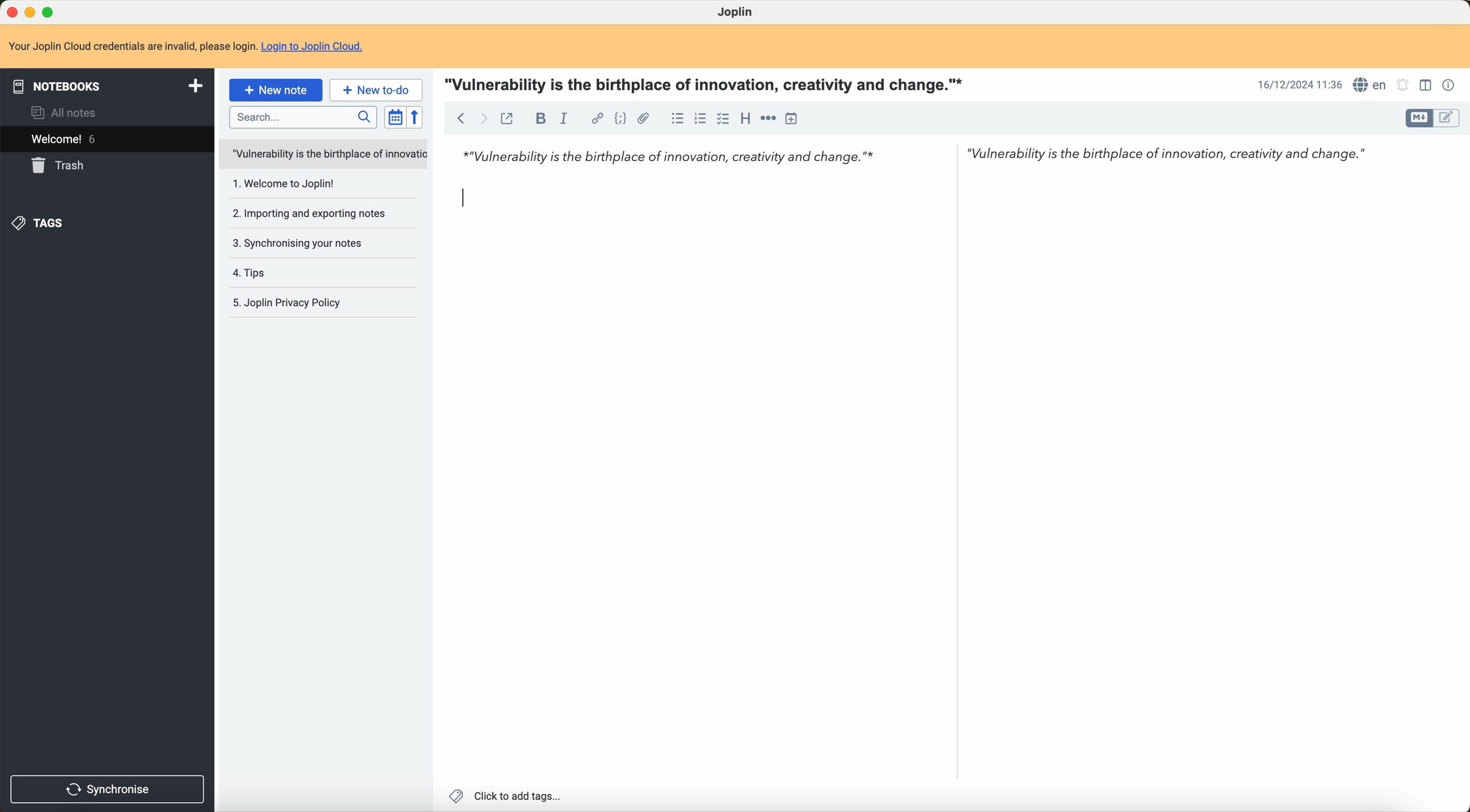 The image size is (1470, 812). I want to click on *"Vulnerability is the birthplace of innovation, creativity and change.”, so click(678, 156).